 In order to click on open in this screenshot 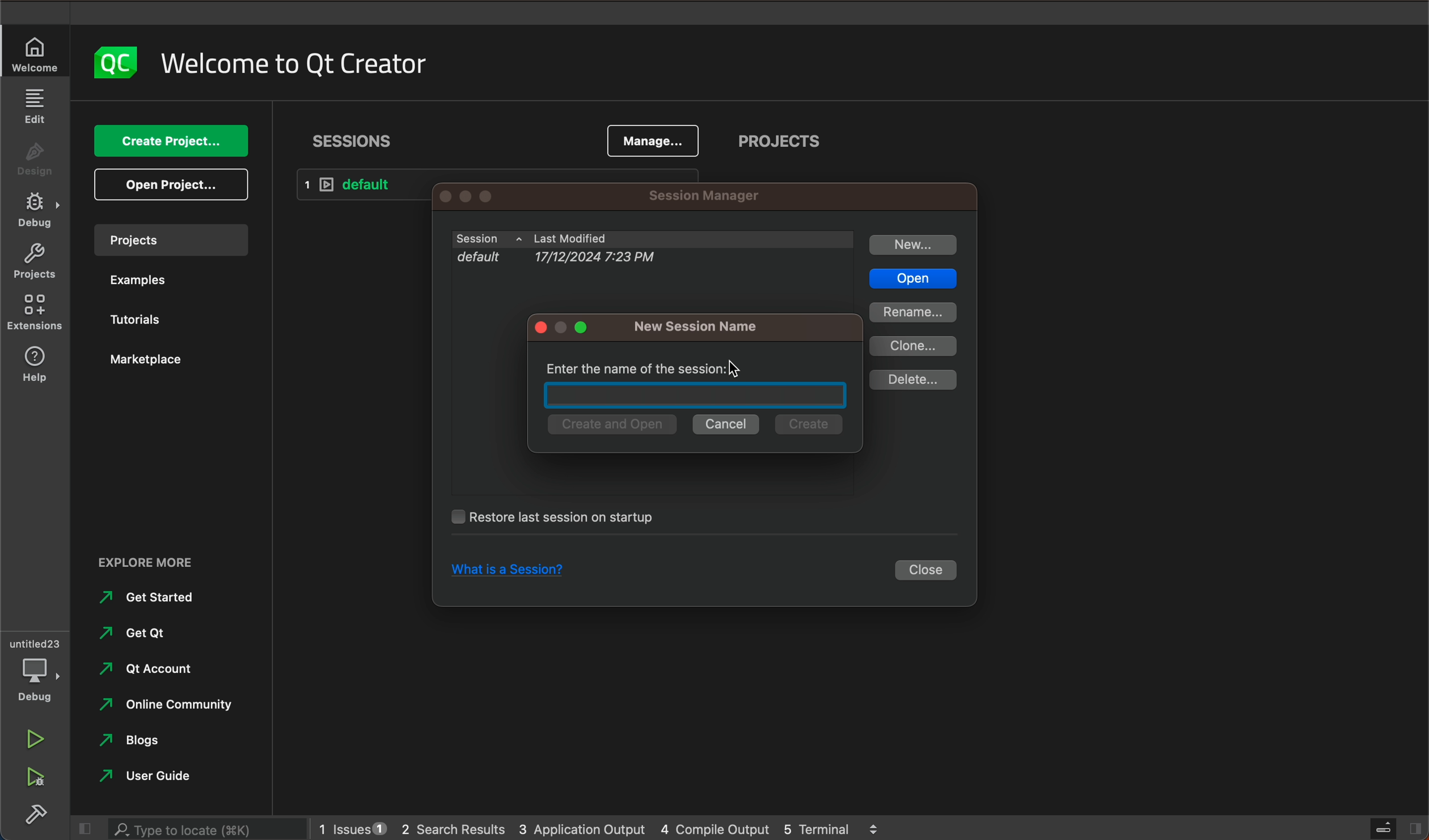, I will do `click(911, 279)`.